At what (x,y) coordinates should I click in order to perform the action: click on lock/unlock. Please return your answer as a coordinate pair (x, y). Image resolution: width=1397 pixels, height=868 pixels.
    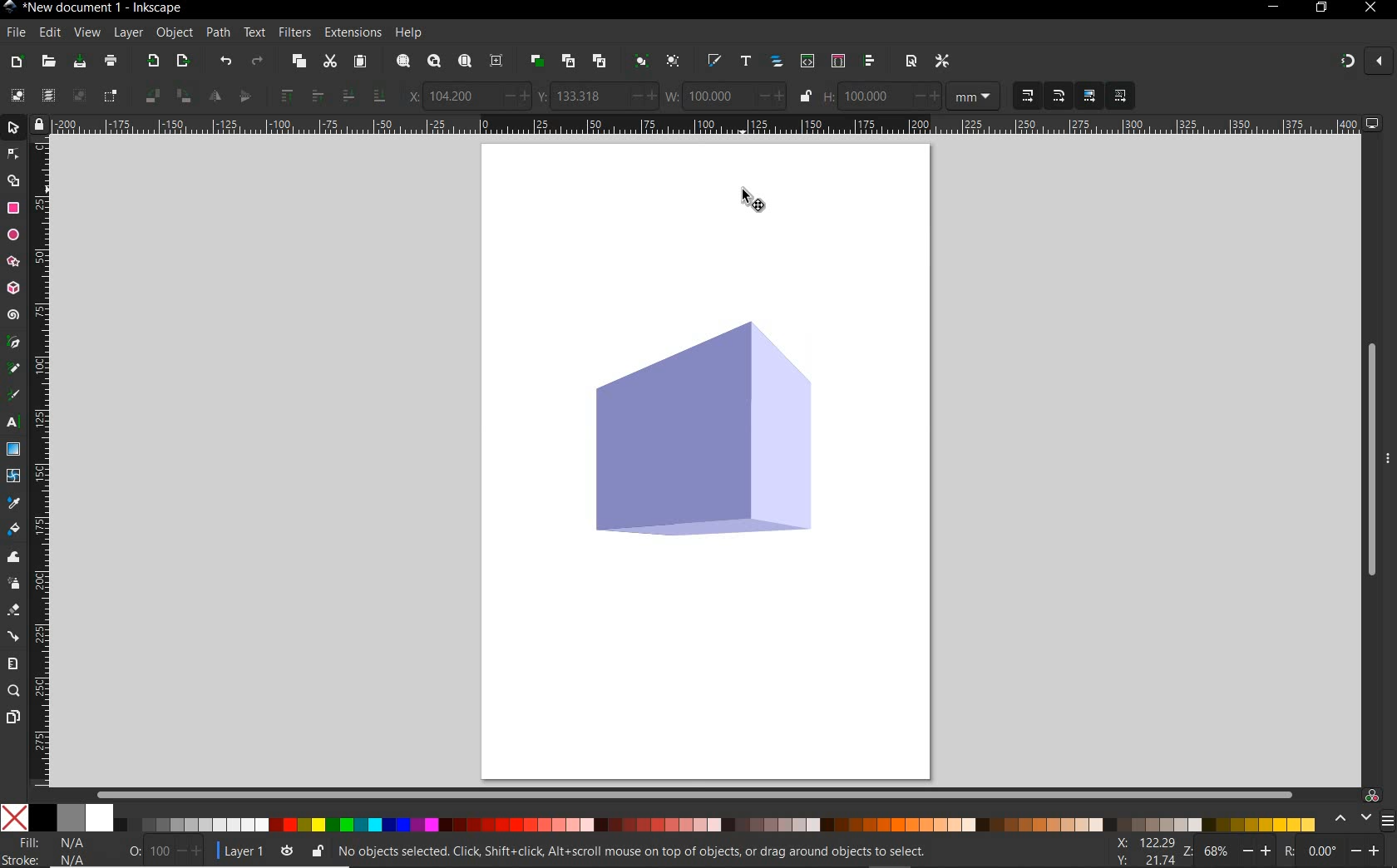
    Looking at the image, I should click on (316, 849).